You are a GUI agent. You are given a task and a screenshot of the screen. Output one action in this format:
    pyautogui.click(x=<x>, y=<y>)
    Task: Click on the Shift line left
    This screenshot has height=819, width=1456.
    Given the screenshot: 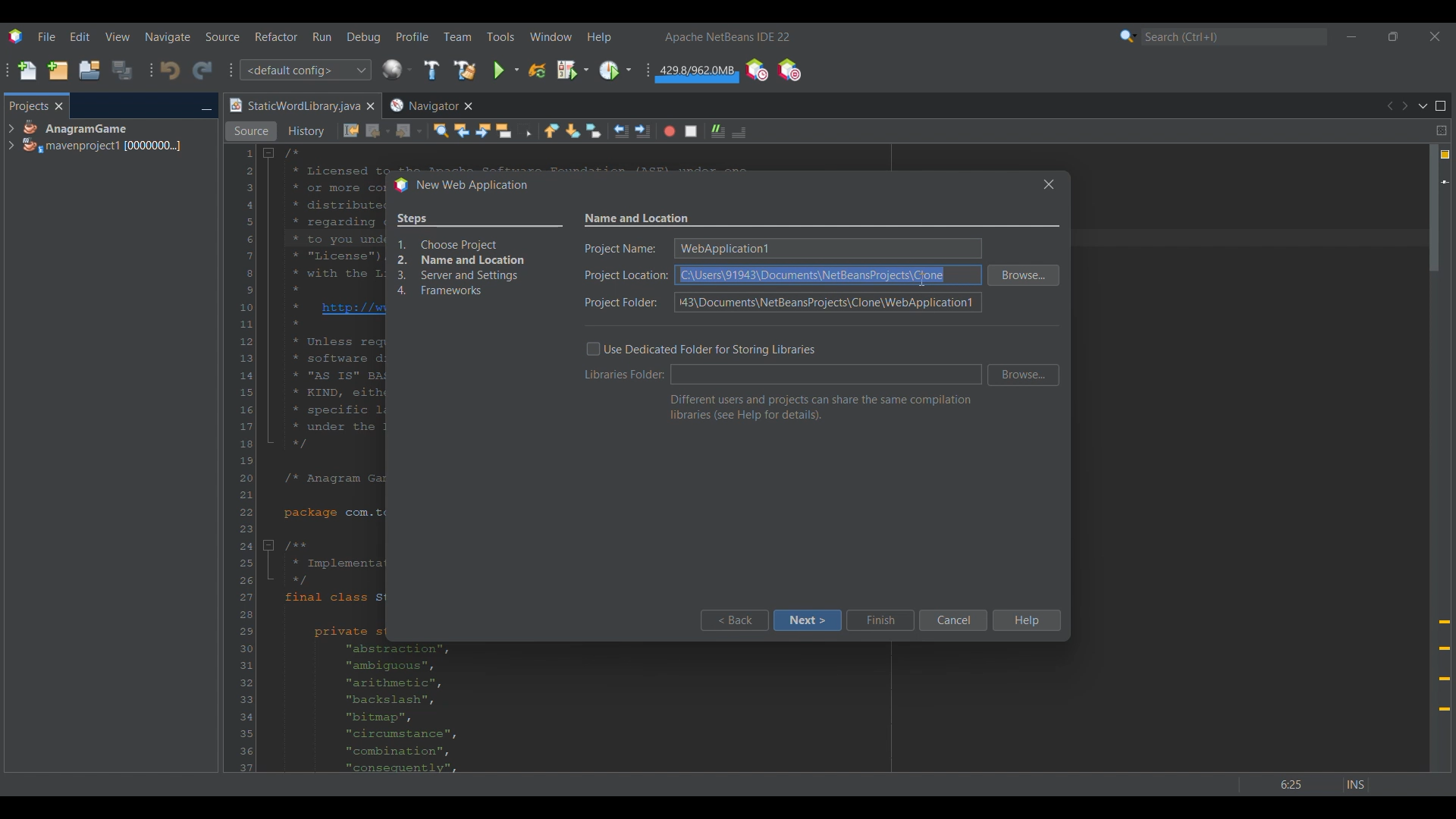 What is the action you would take?
    pyautogui.click(x=621, y=131)
    